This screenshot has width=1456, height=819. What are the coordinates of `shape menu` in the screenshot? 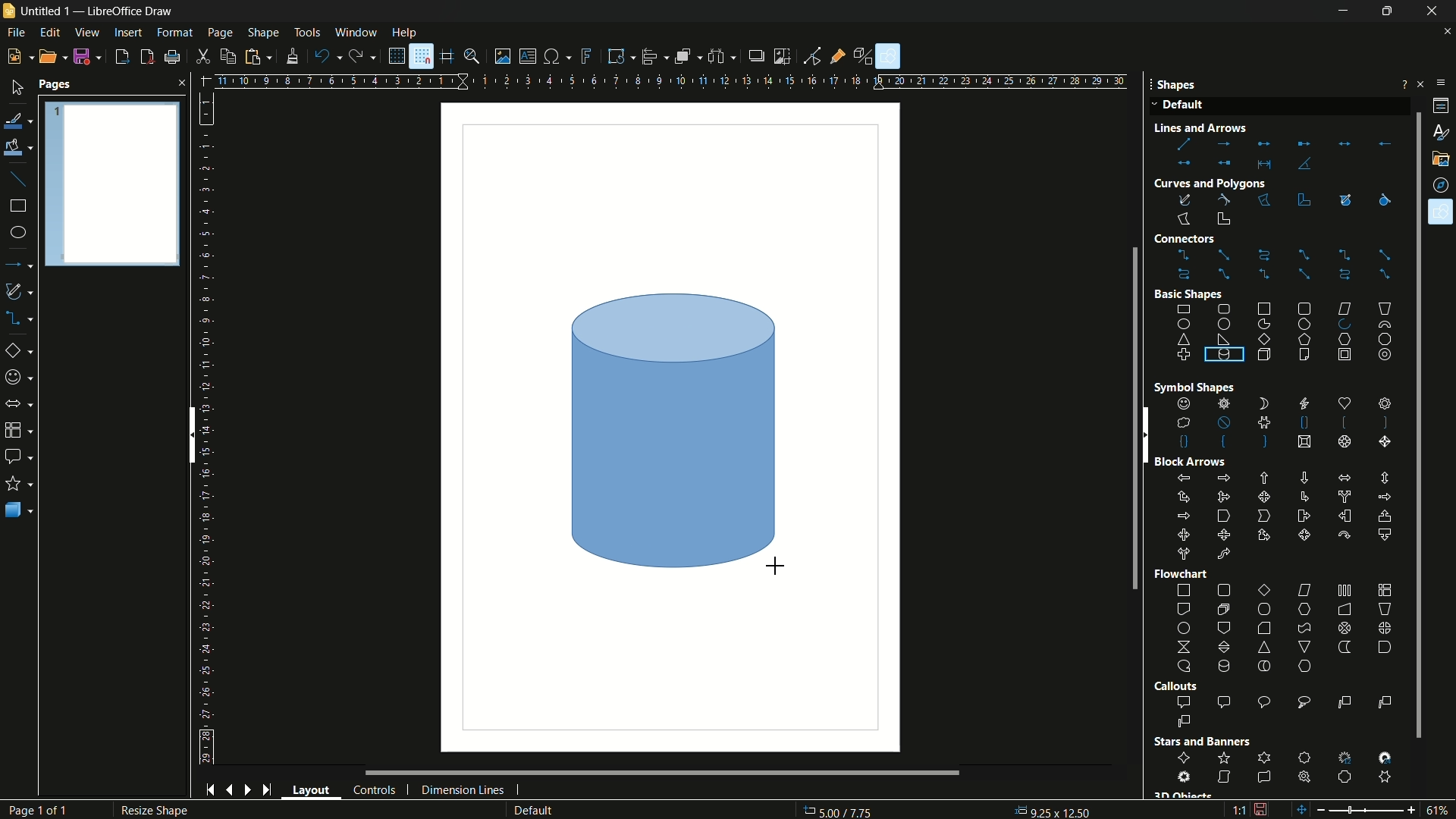 It's located at (265, 33).